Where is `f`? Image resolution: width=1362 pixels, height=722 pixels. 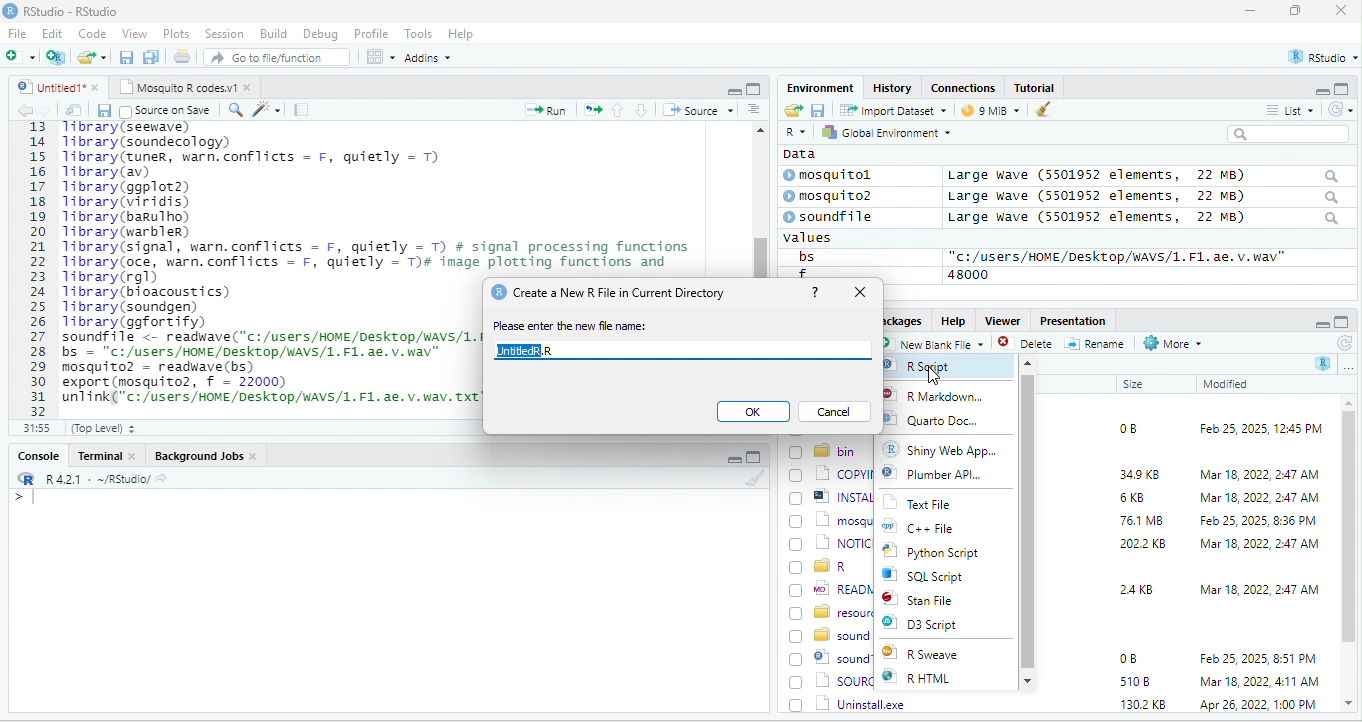
f is located at coordinates (802, 273).